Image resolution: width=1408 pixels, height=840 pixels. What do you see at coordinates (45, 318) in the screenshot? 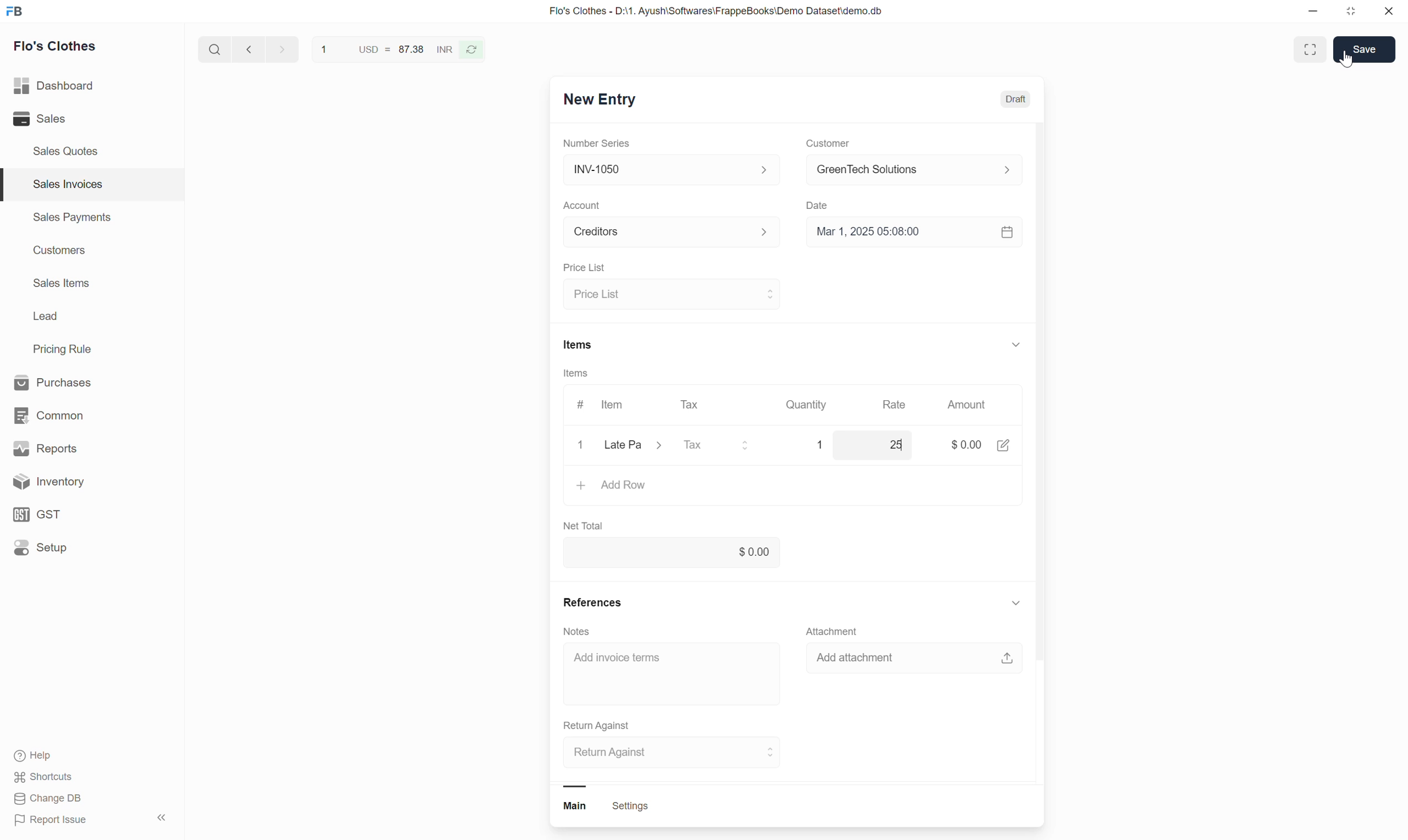
I see `Lead` at bounding box center [45, 318].